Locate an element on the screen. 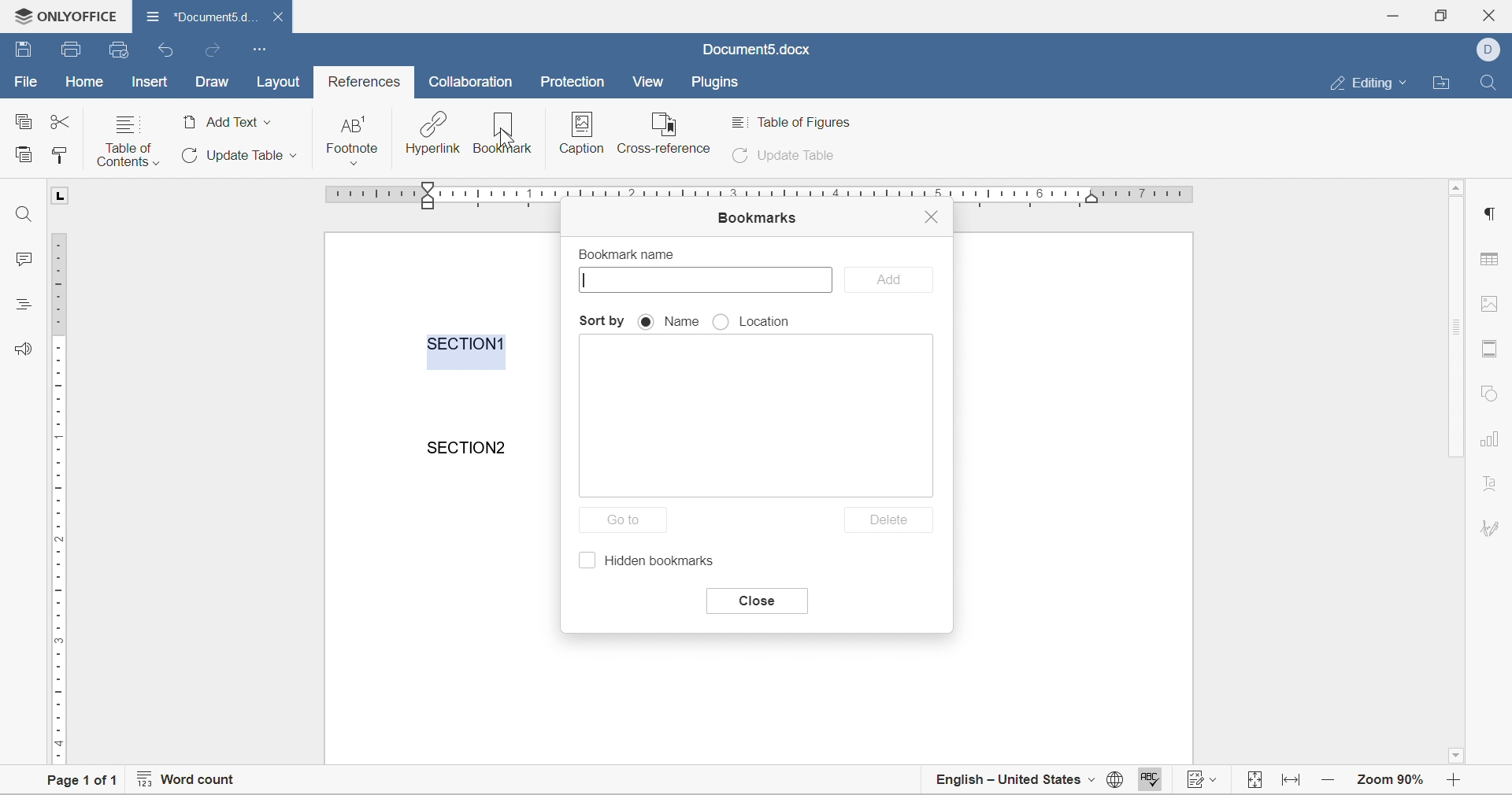  insert caption is located at coordinates (580, 134).